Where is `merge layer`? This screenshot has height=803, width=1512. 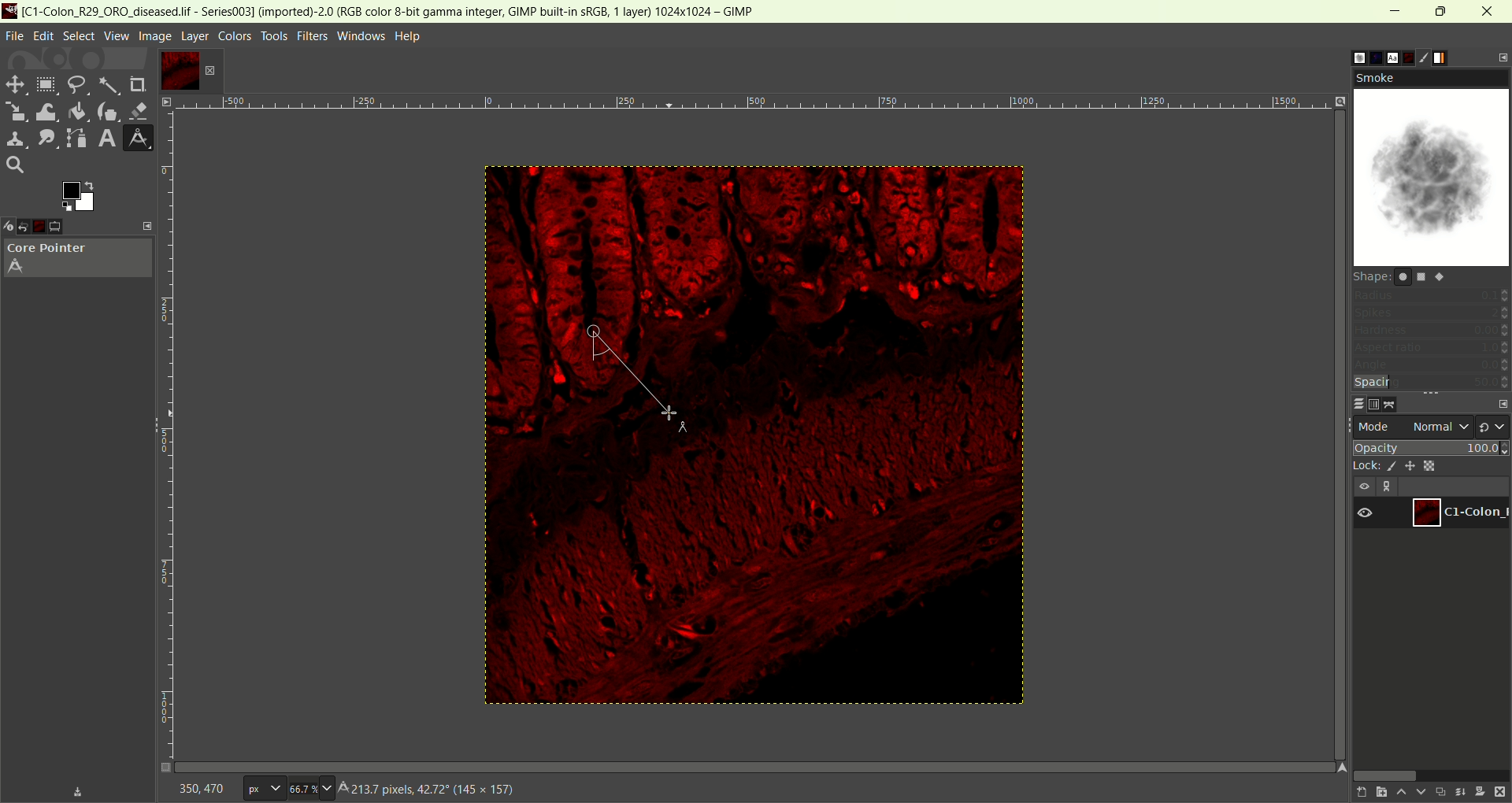 merge layer is located at coordinates (1460, 792).